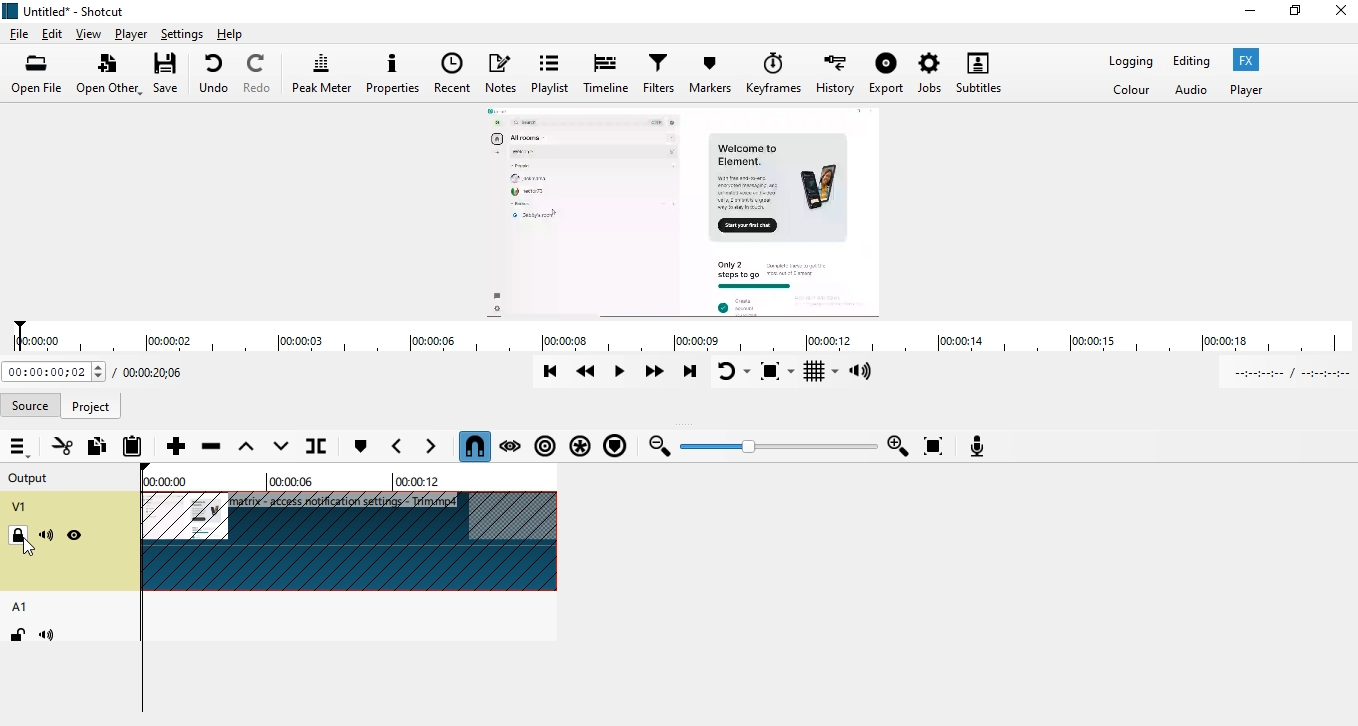  What do you see at coordinates (37, 72) in the screenshot?
I see `open file` at bounding box center [37, 72].